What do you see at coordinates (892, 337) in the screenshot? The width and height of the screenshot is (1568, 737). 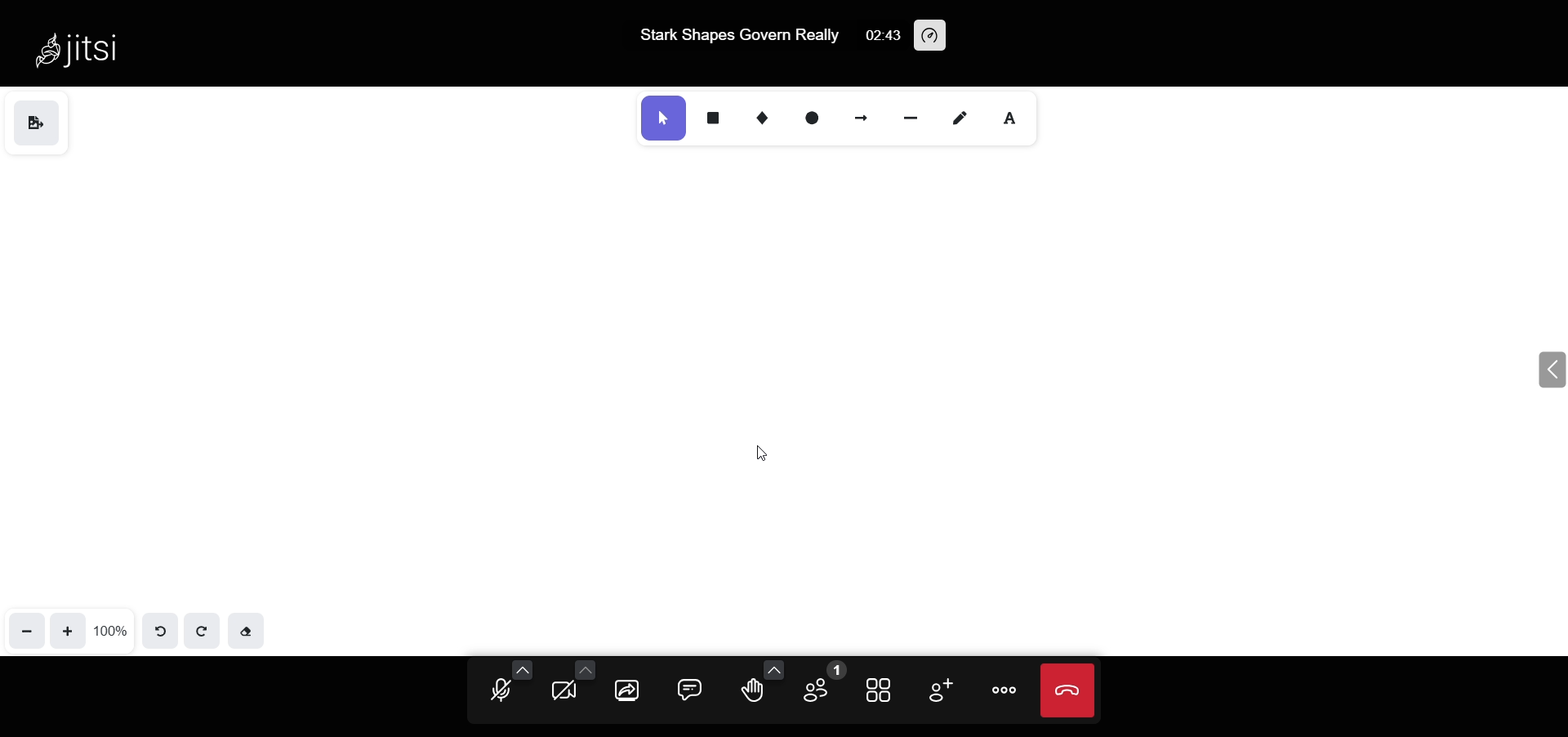 I see `redo delete` at bounding box center [892, 337].